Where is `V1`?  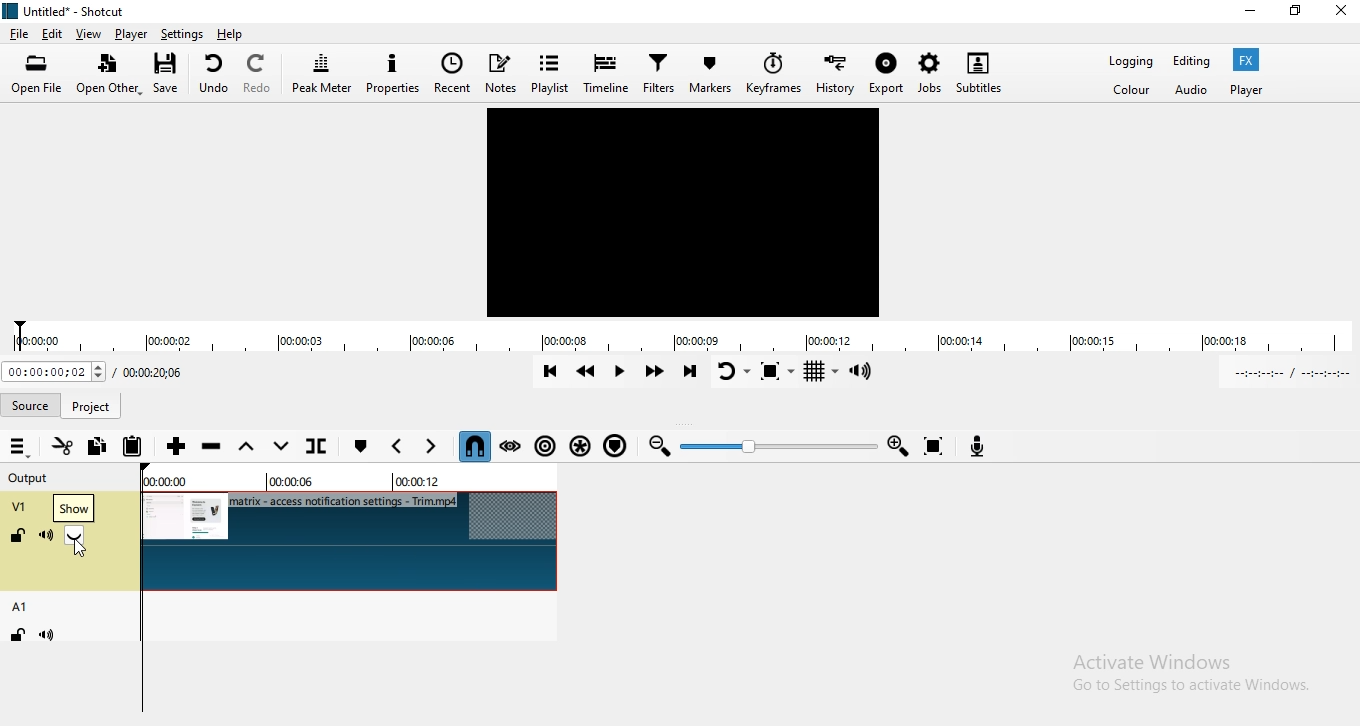 V1 is located at coordinates (19, 506).